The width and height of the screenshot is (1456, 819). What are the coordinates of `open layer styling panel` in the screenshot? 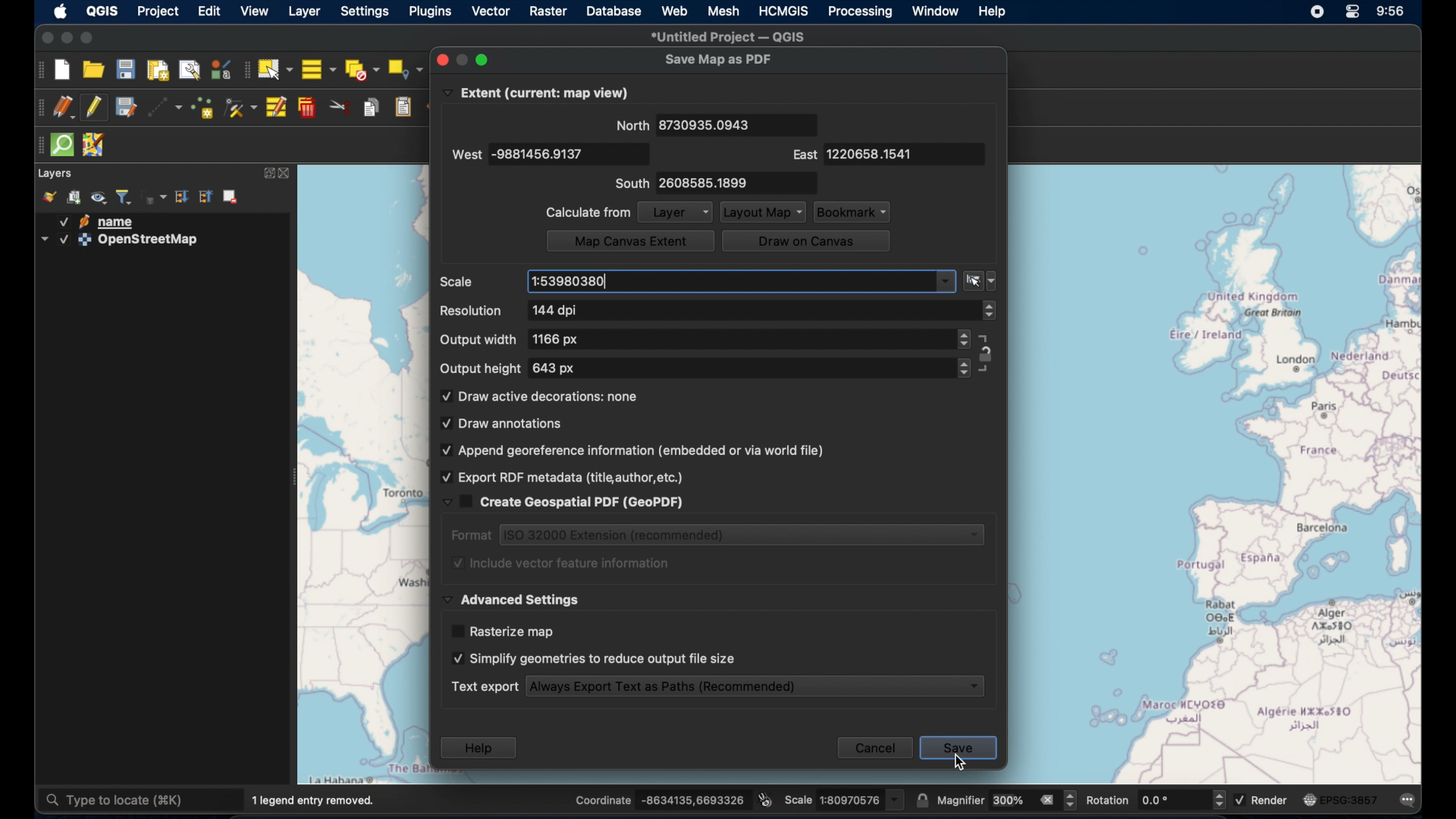 It's located at (49, 197).